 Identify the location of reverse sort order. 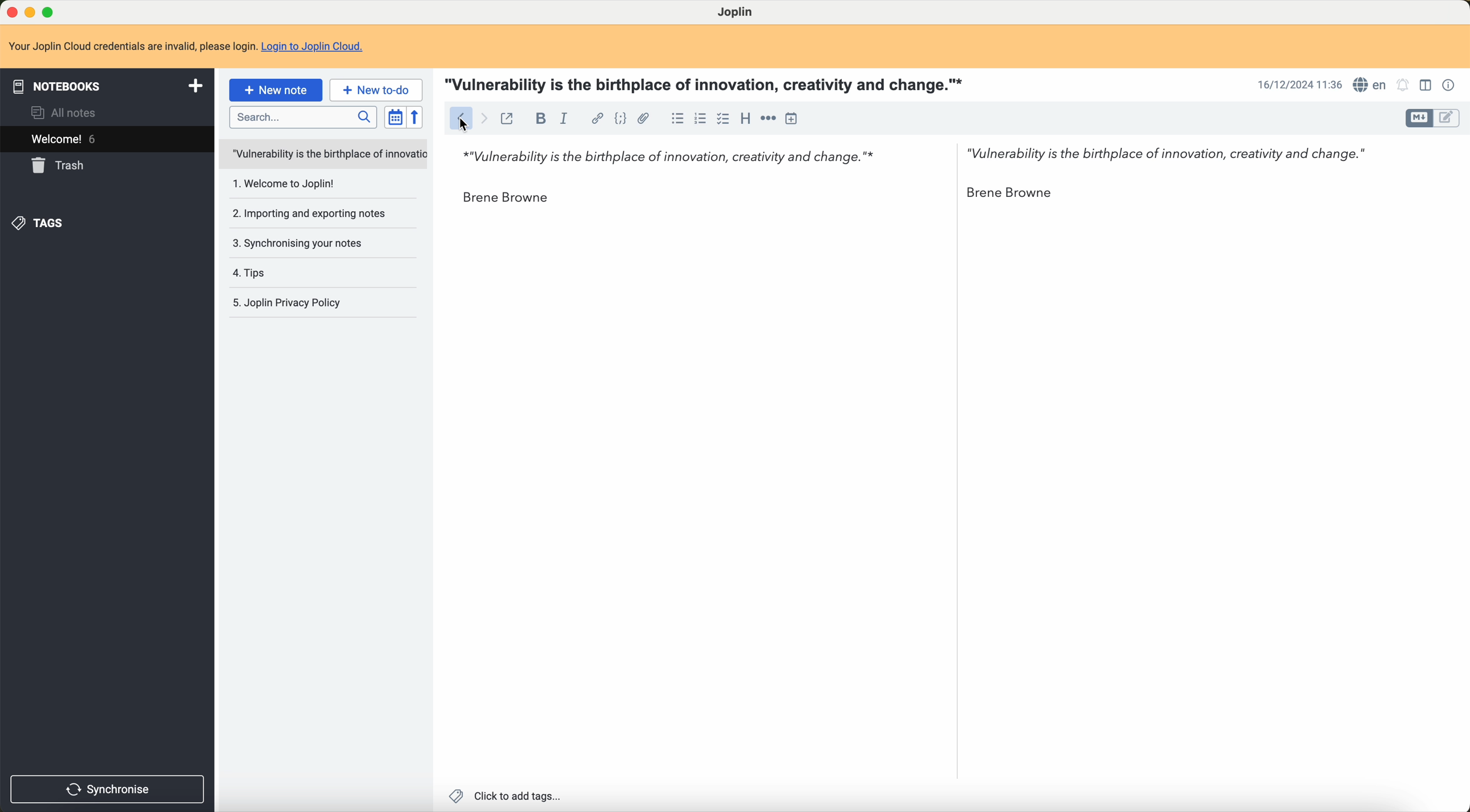
(416, 117).